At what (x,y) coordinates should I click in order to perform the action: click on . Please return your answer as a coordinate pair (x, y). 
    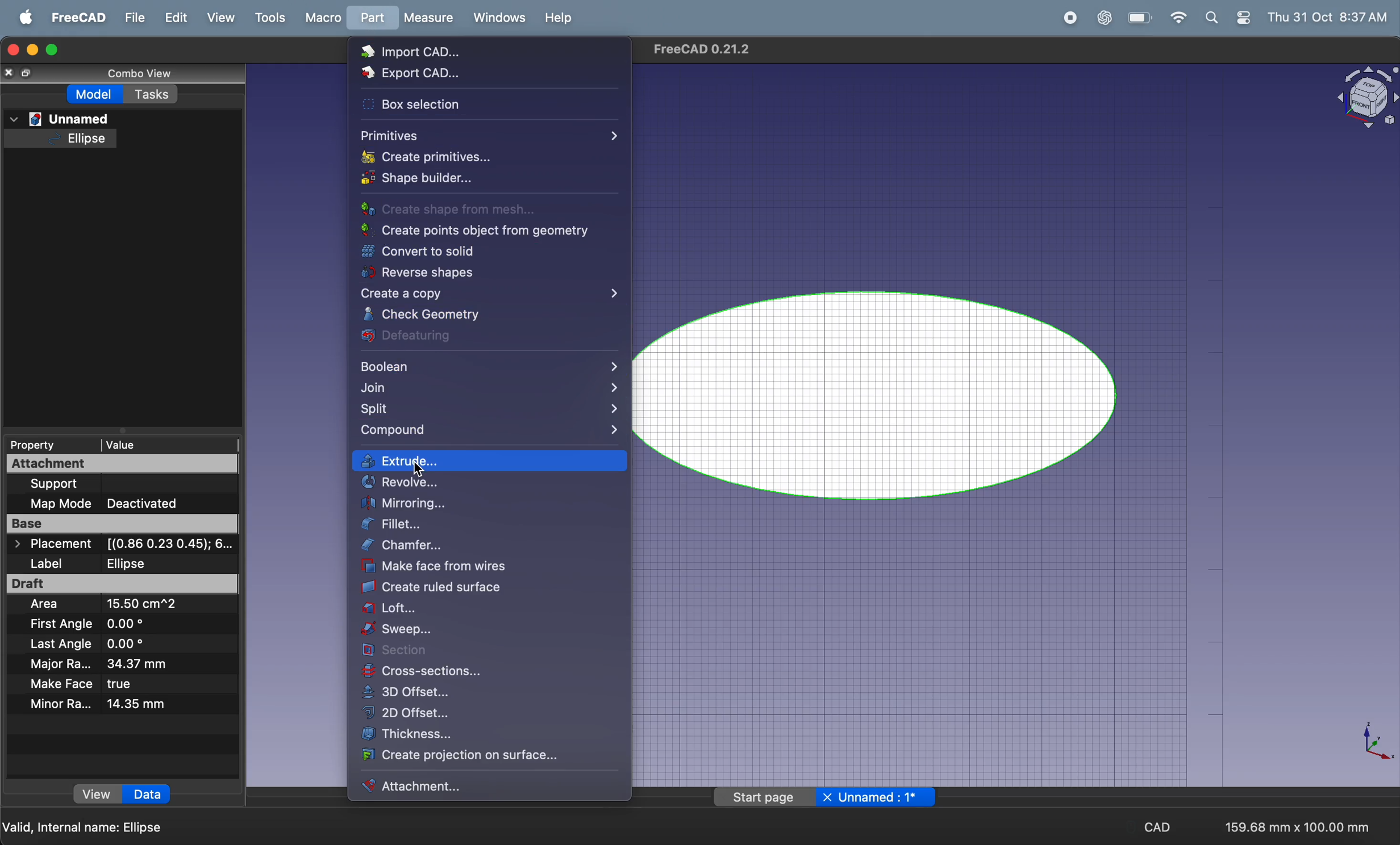
    Looking at the image, I should click on (480, 789).